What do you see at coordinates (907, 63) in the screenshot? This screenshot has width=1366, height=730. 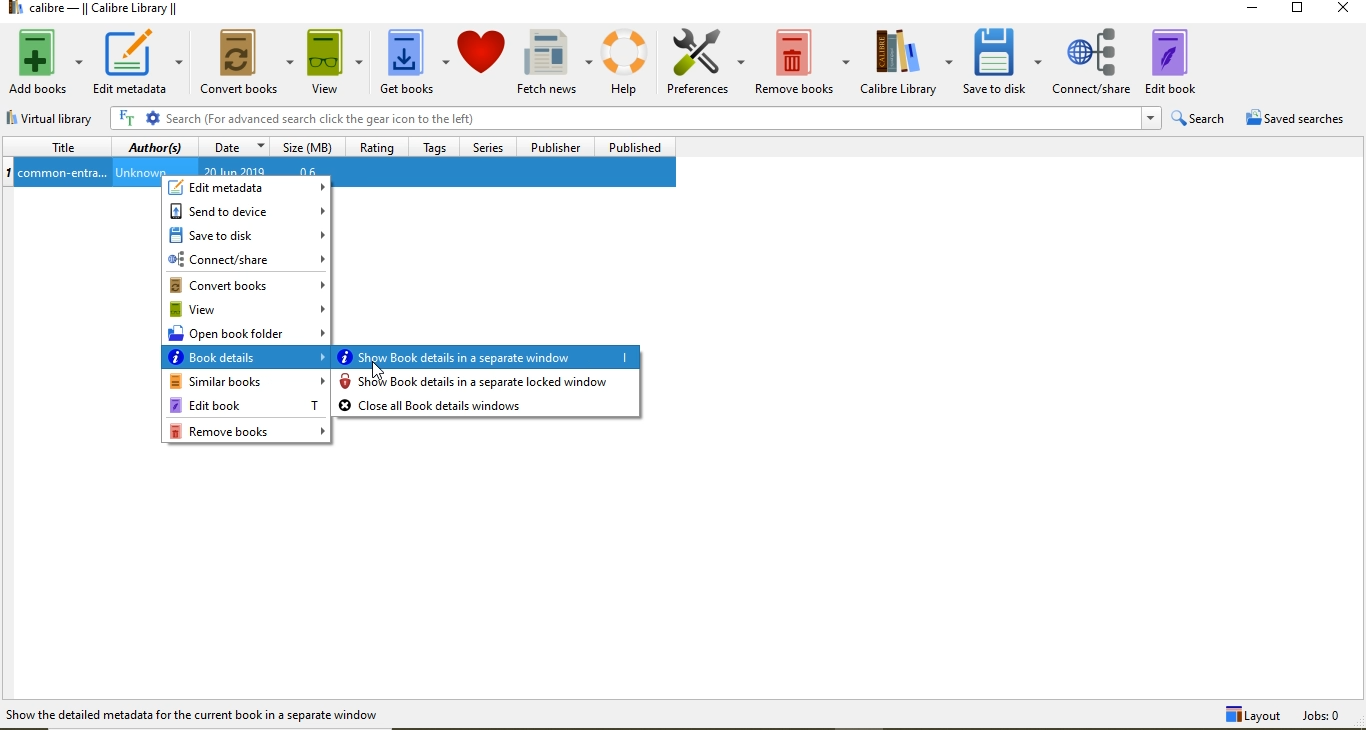 I see `calibre library` at bounding box center [907, 63].